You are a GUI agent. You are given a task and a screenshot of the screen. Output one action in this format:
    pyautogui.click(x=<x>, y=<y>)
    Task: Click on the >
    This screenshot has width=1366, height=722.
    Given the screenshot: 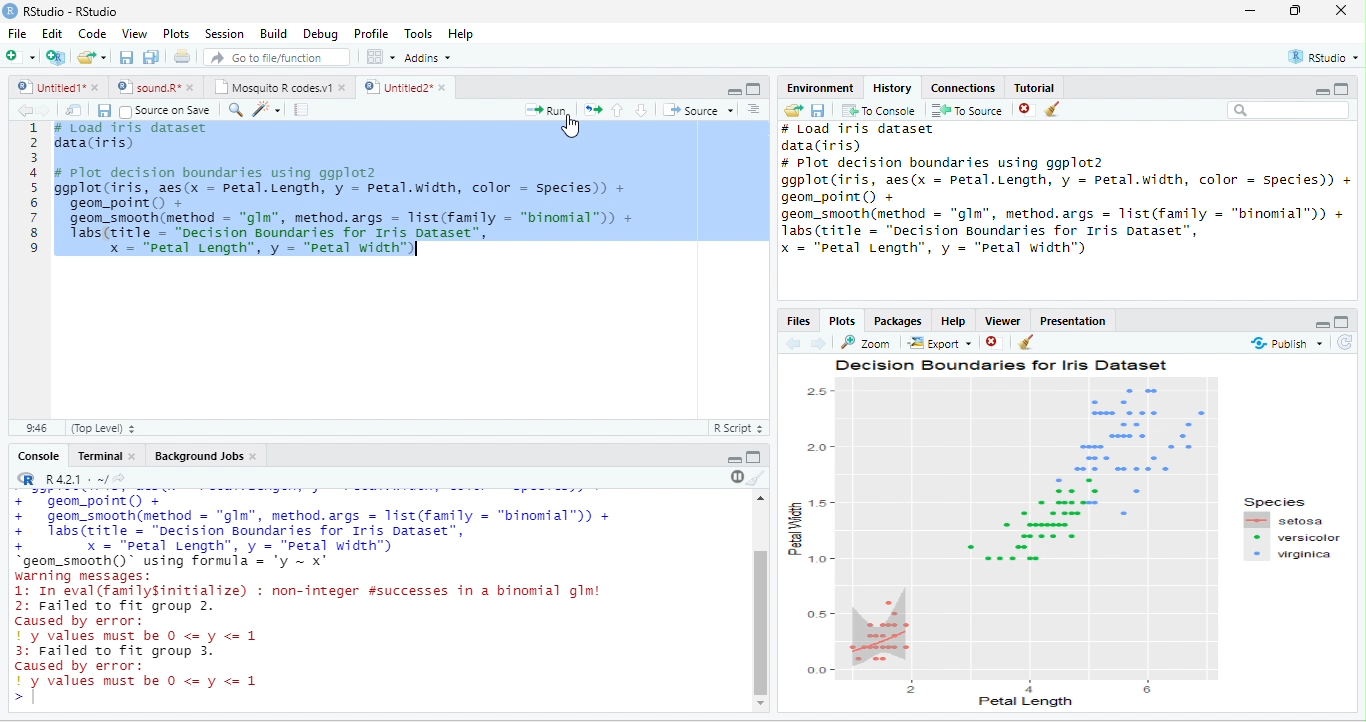 What is the action you would take?
    pyautogui.click(x=19, y=699)
    